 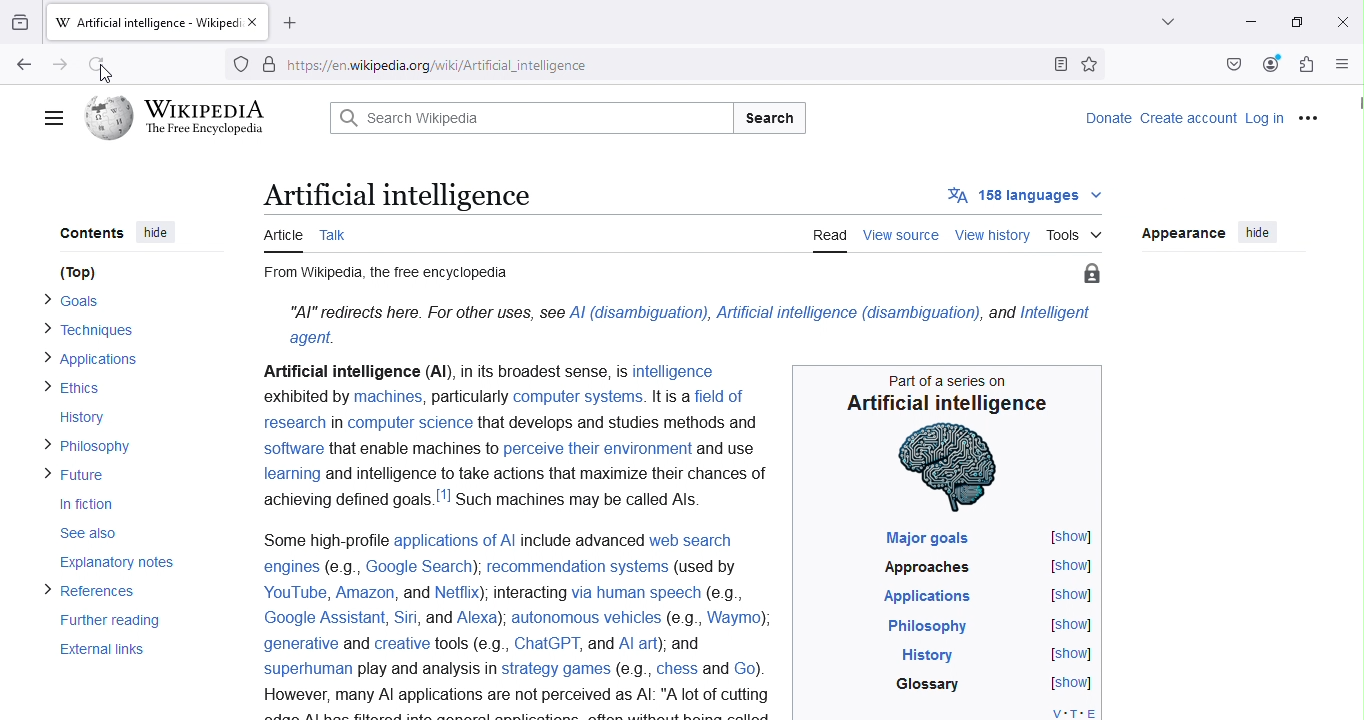 I want to click on Wikipedia logo, so click(x=110, y=119).